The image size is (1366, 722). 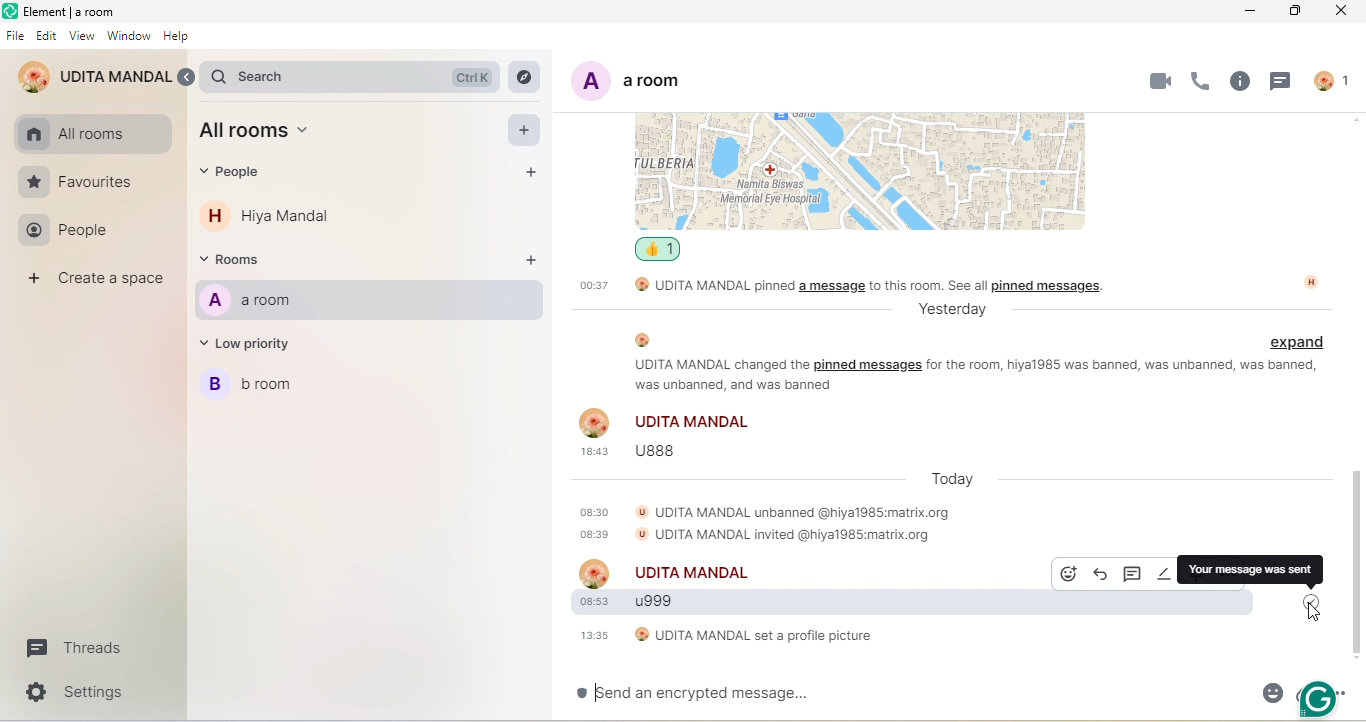 What do you see at coordinates (666, 436) in the screenshot?
I see `Udita Mandal18:43 UBBS` at bounding box center [666, 436].